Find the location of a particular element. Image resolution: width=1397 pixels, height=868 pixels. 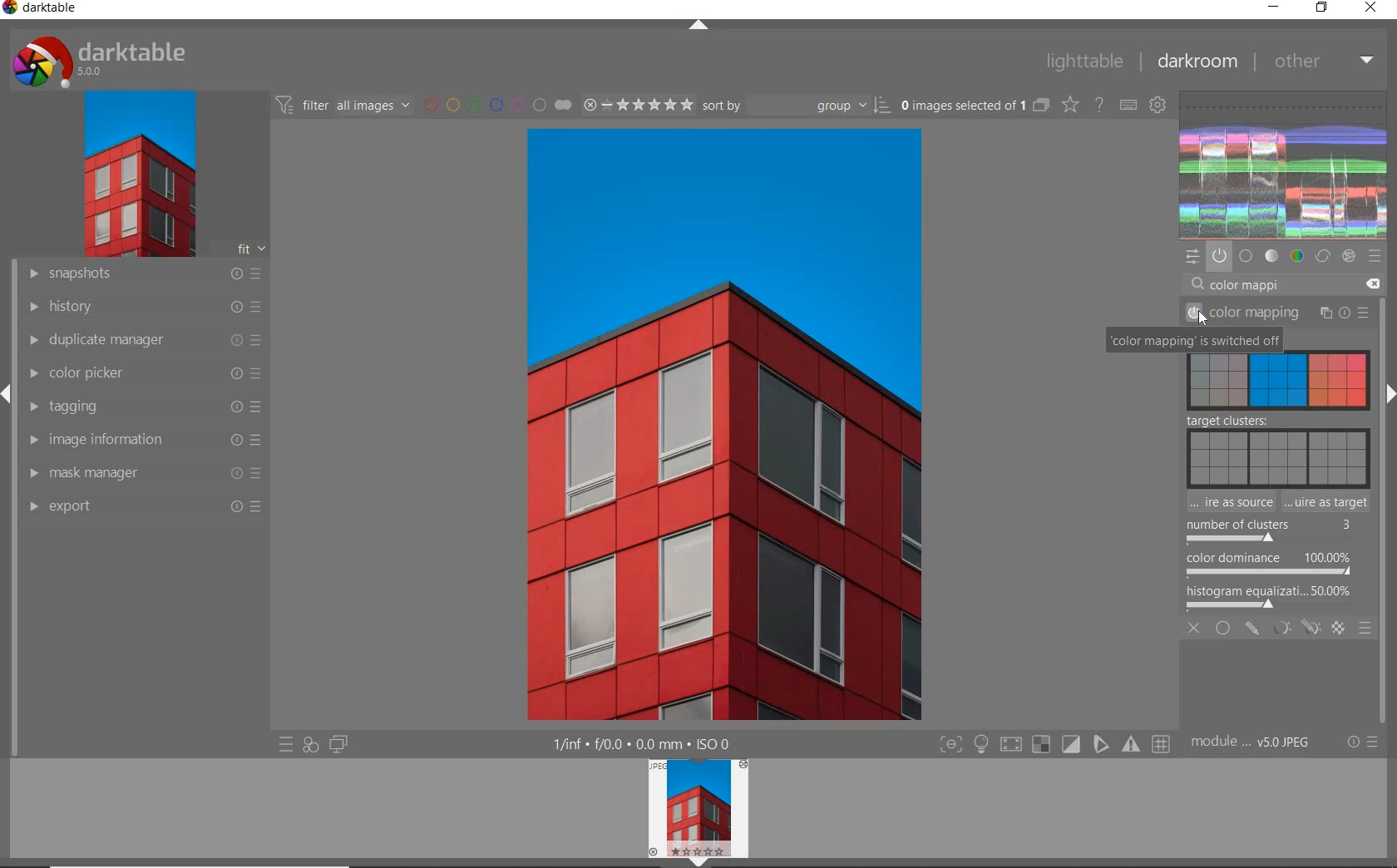

COLOR MAPPING is located at coordinates (1279, 314).